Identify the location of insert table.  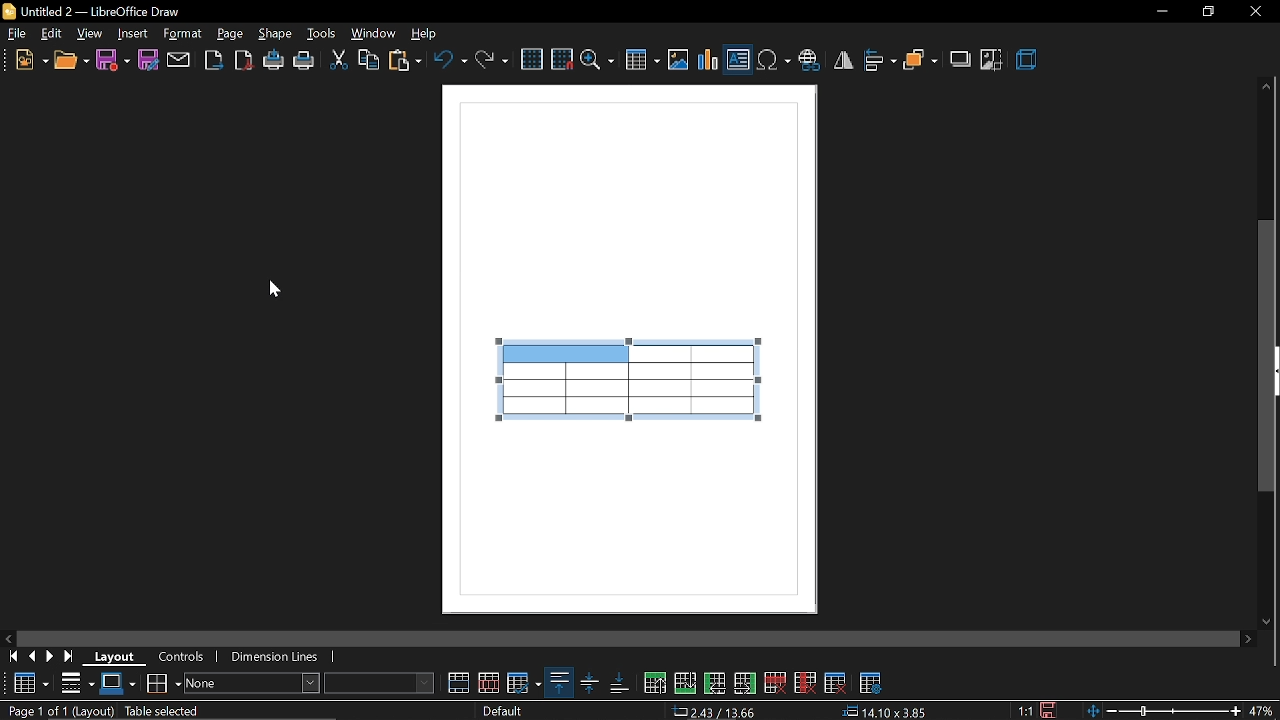
(642, 59).